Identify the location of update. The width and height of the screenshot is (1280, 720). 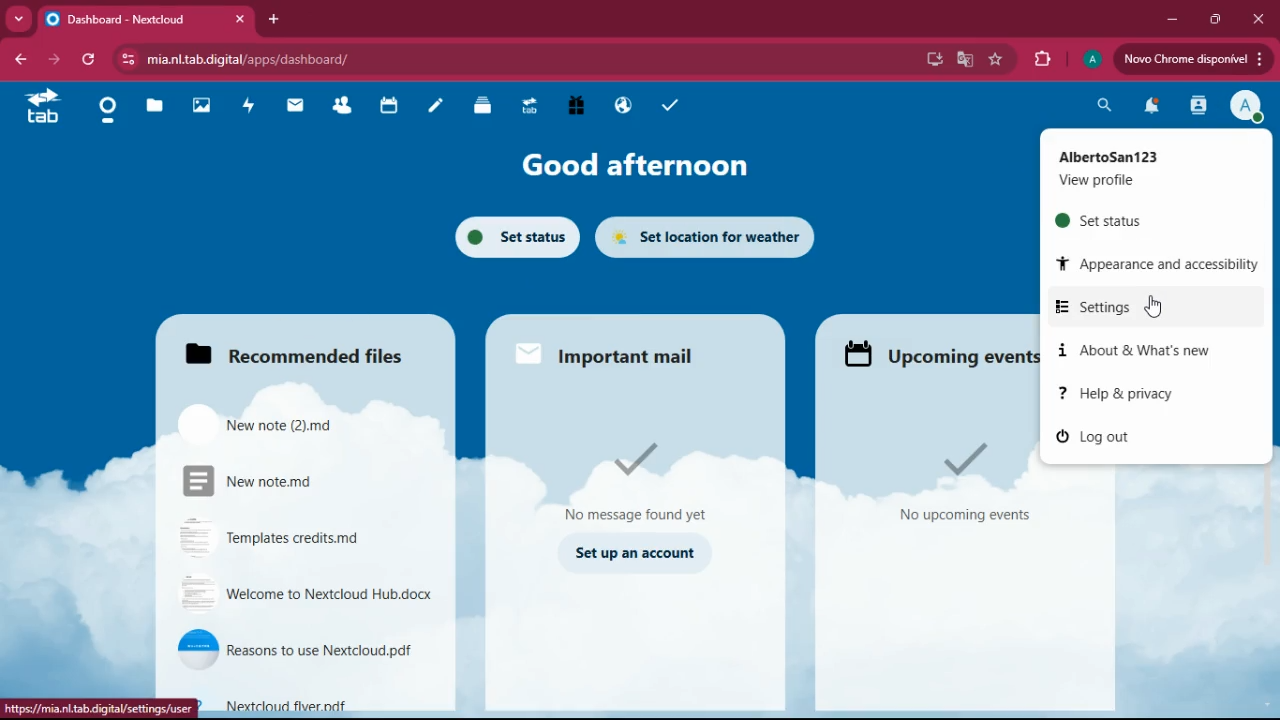
(1191, 58).